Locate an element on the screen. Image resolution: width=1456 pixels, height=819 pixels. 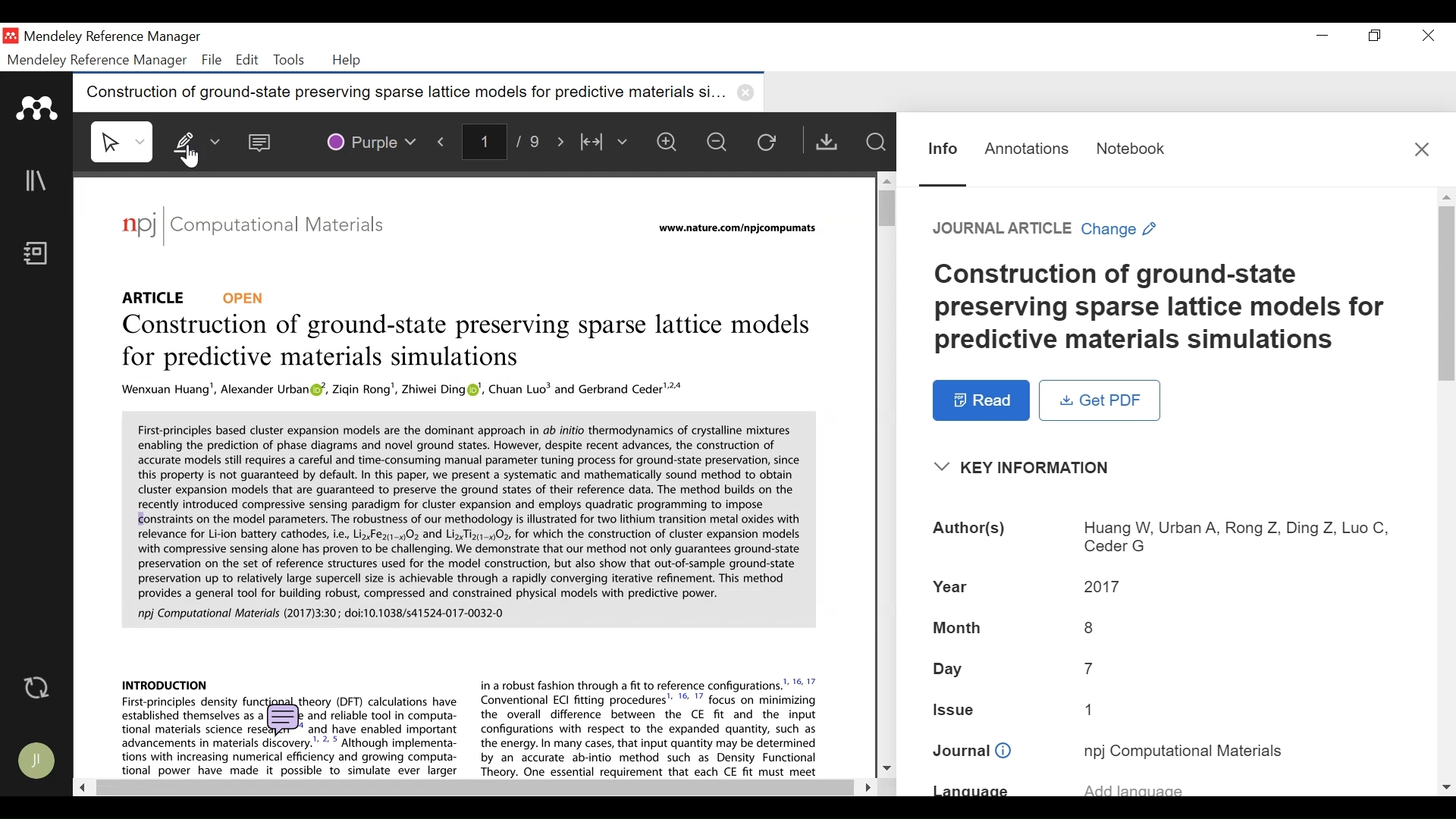
PDF Context is located at coordinates (467, 518).